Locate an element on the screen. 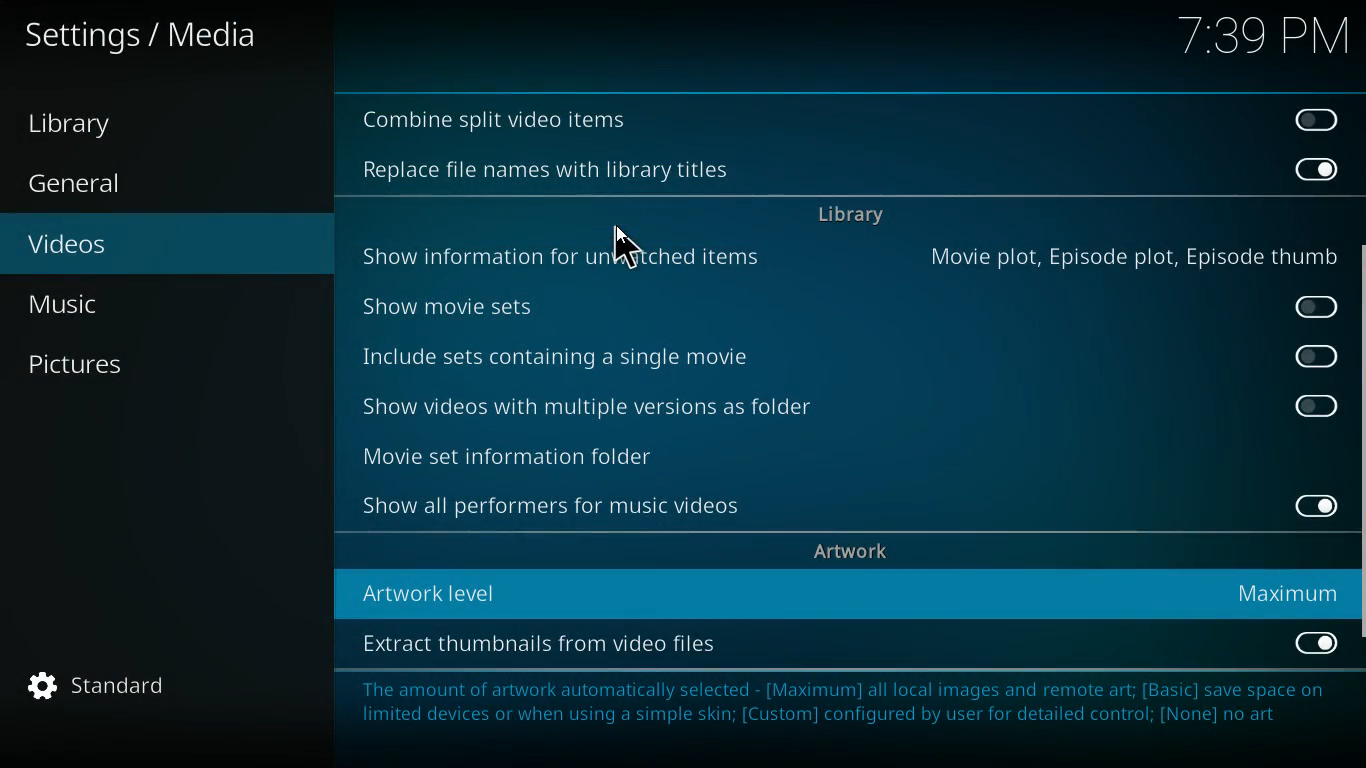 This screenshot has height=768, width=1366. show movie sets is located at coordinates (502, 303).